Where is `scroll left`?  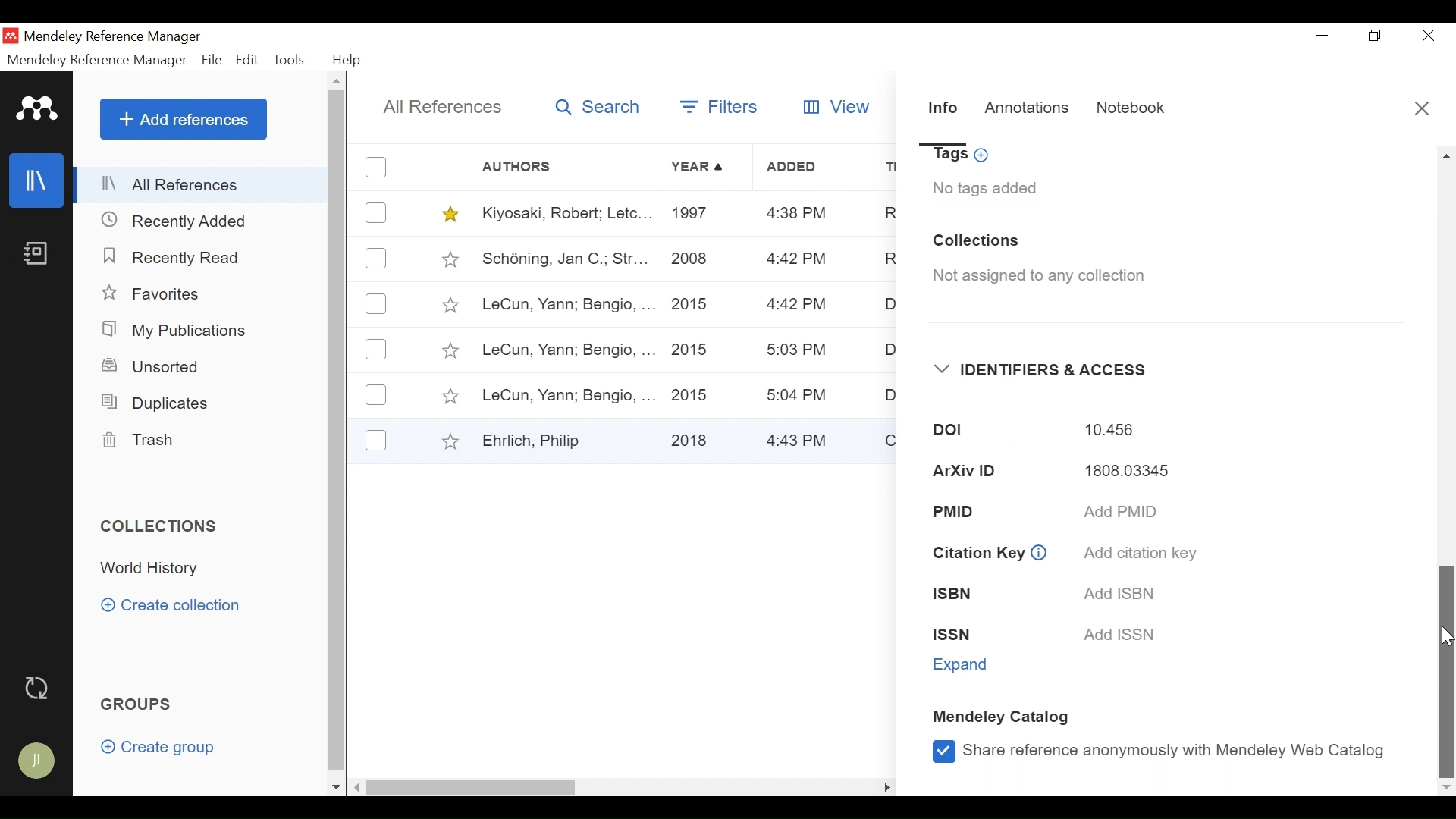
scroll left is located at coordinates (358, 787).